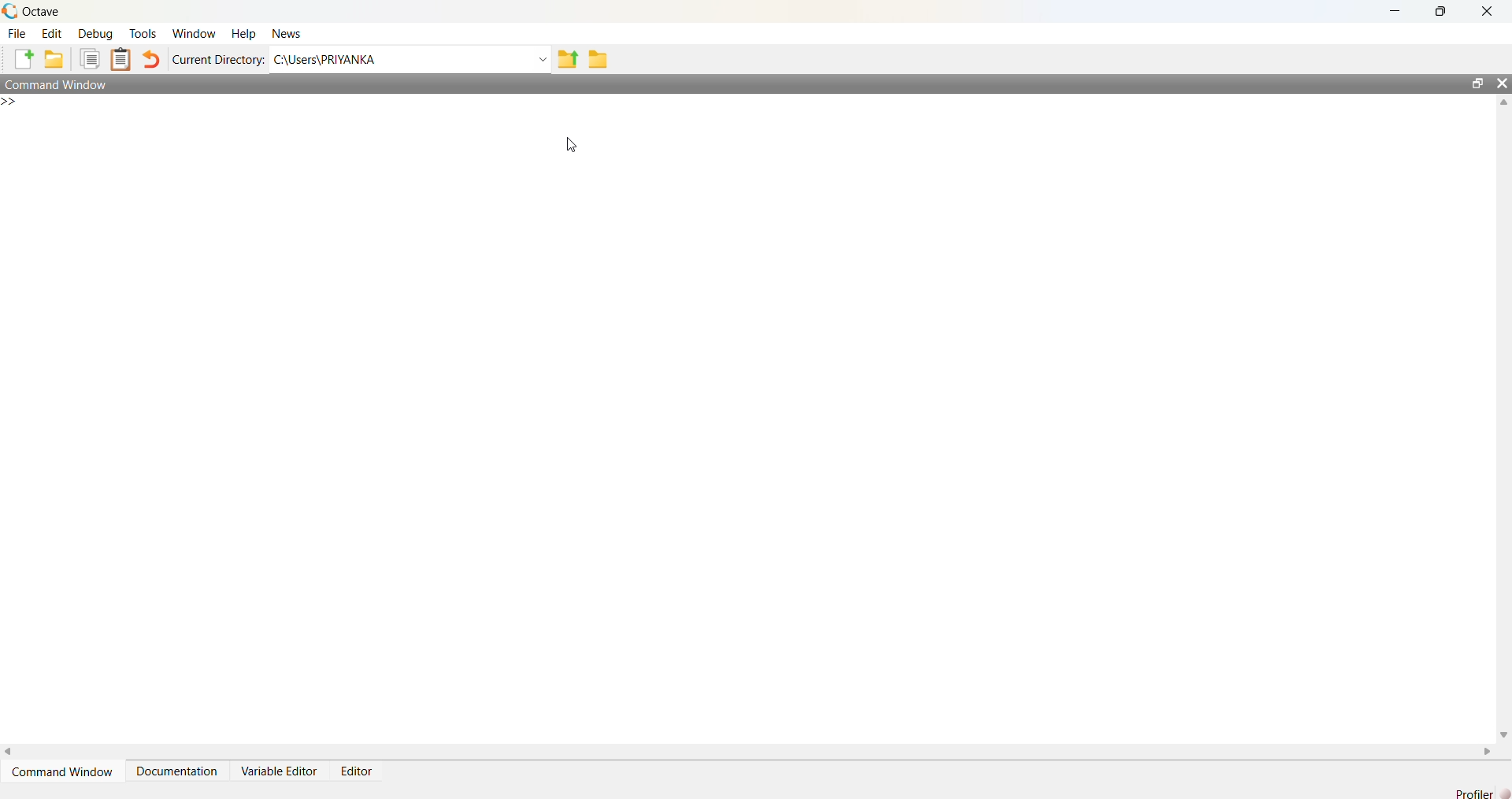  Describe the element at coordinates (542, 59) in the screenshot. I see `Dropdown` at that location.